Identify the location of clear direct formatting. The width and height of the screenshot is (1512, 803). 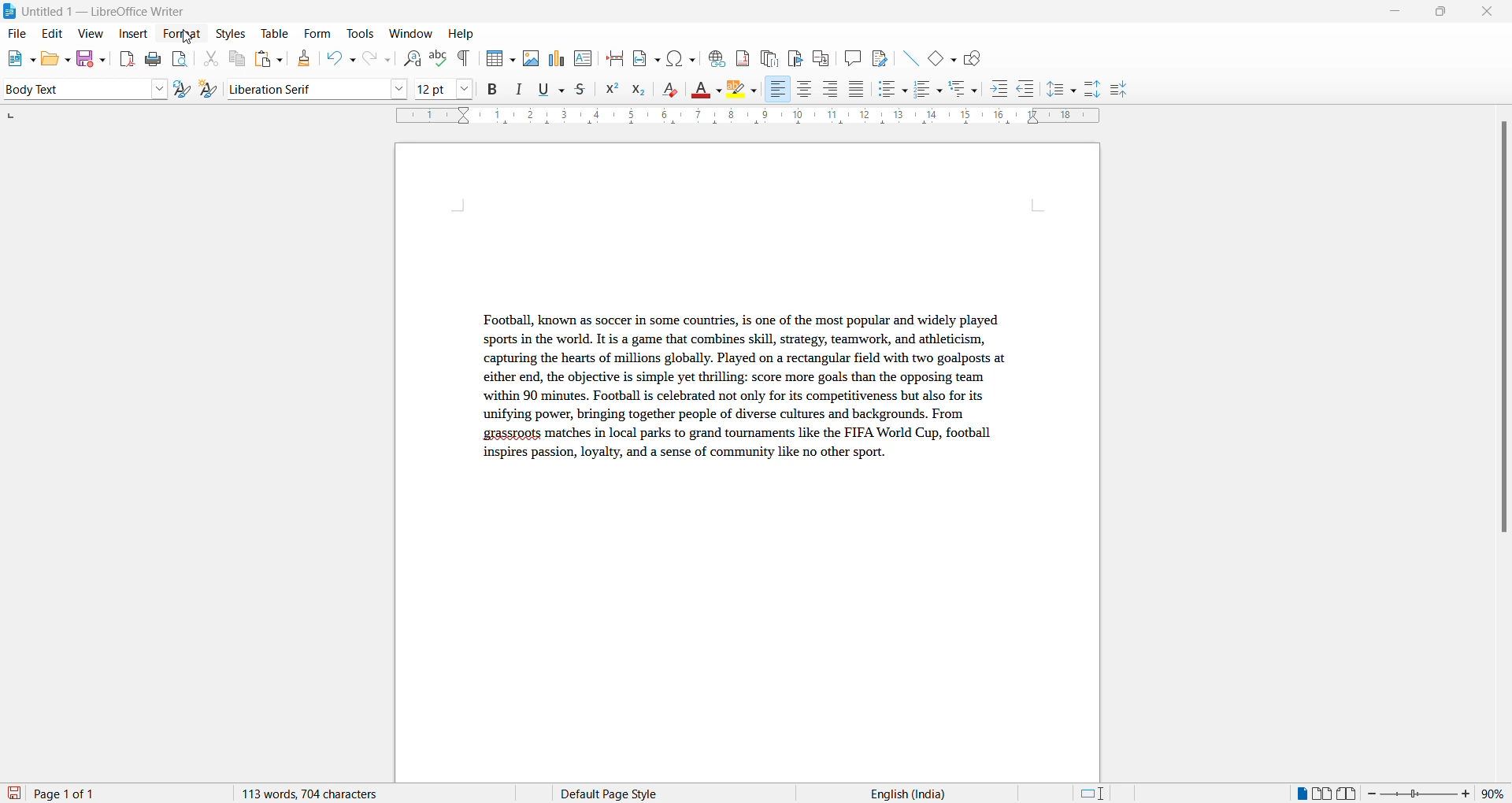
(674, 91).